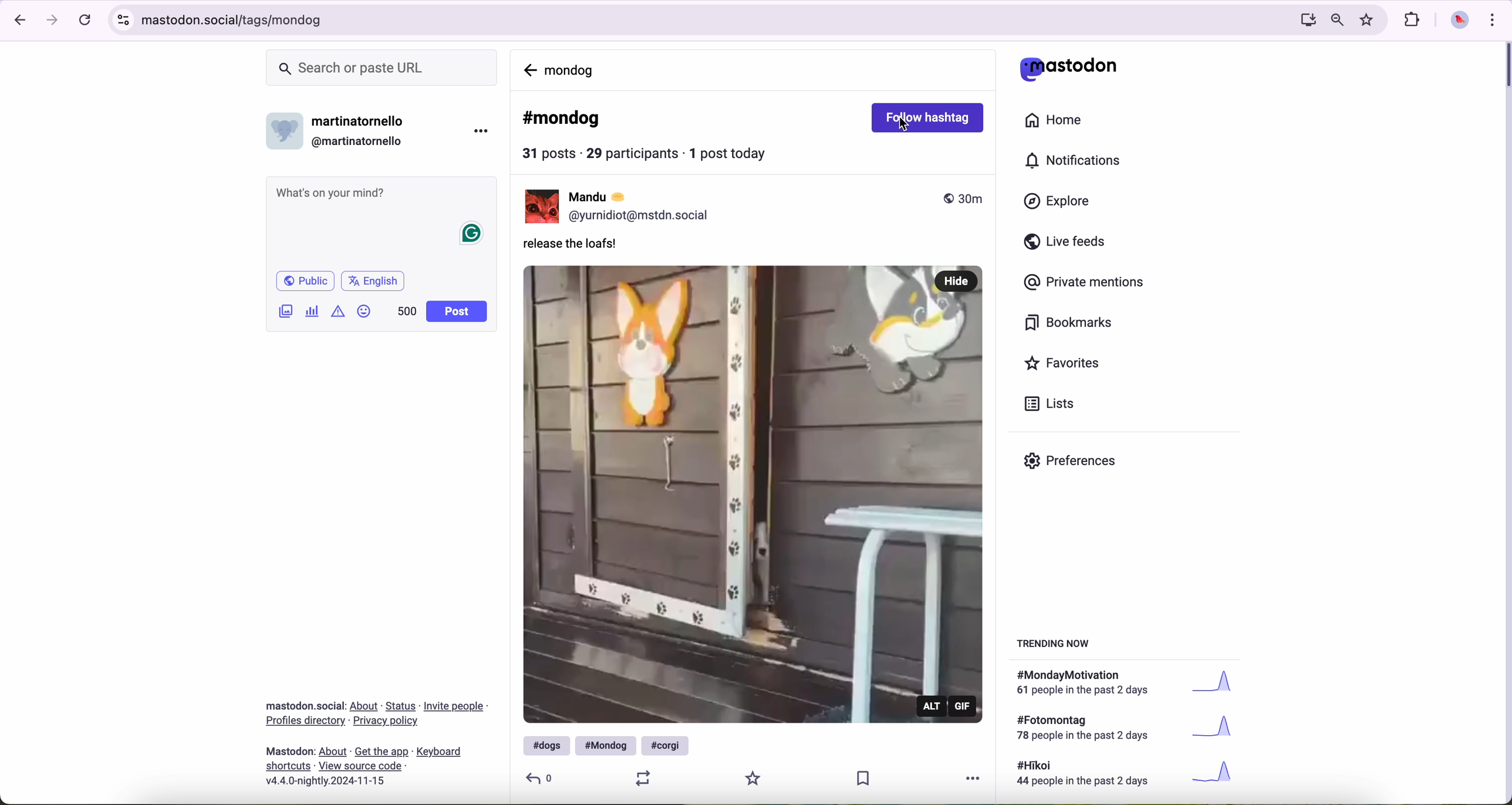 The height and width of the screenshot is (805, 1512). Describe the element at coordinates (1057, 646) in the screenshot. I see `trending` at that location.